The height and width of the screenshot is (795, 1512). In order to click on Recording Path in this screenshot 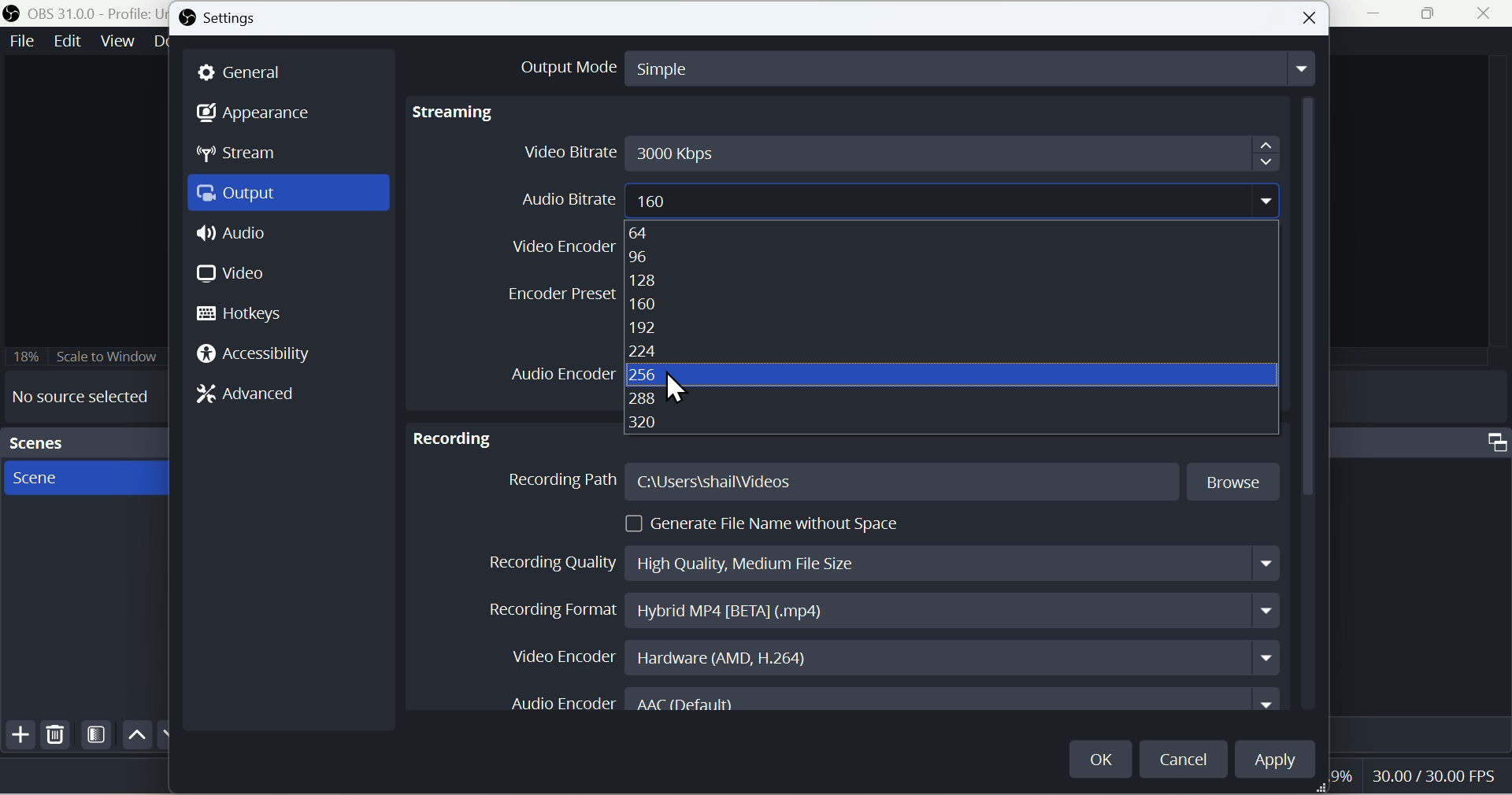, I will do `click(894, 483)`.